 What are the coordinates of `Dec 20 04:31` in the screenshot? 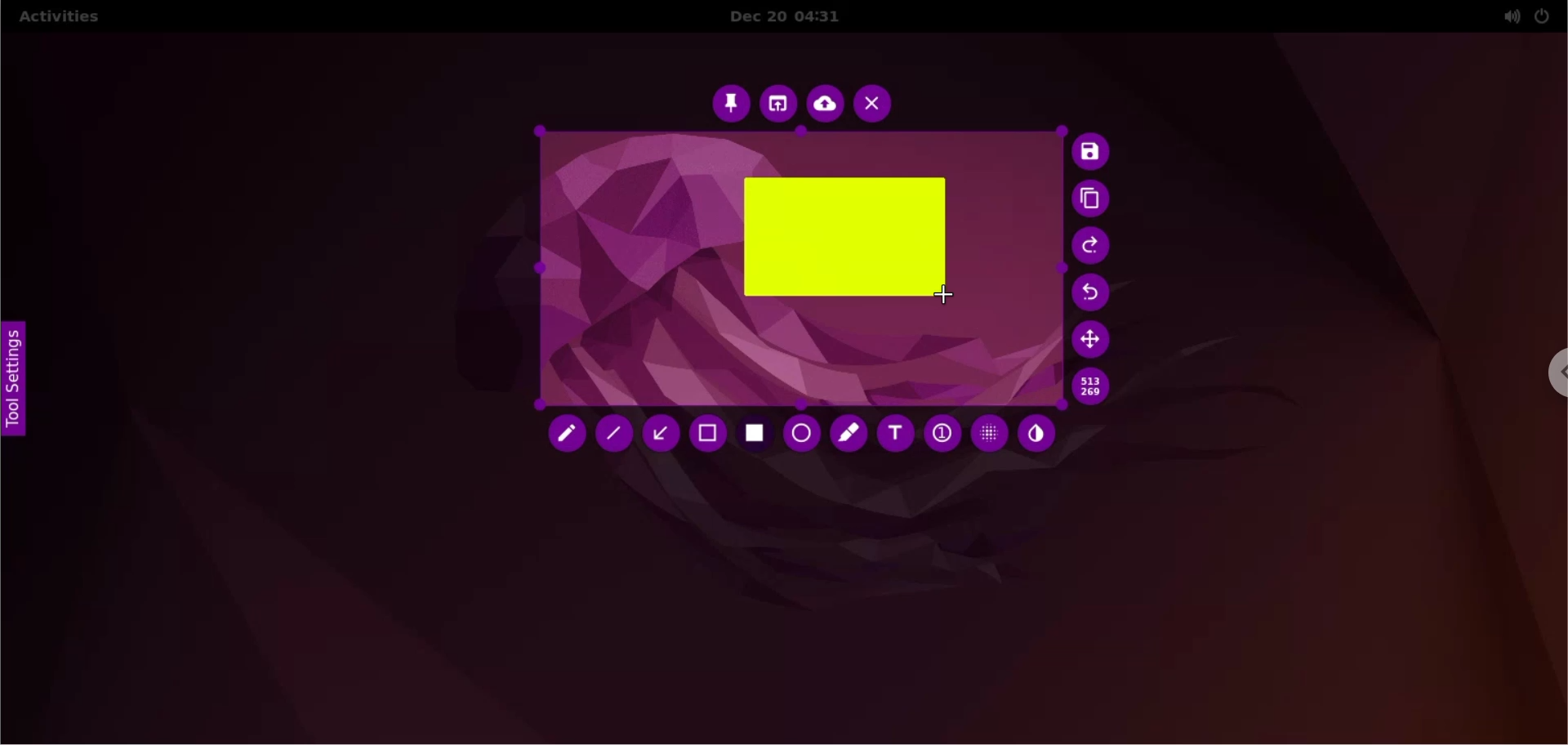 It's located at (791, 17).